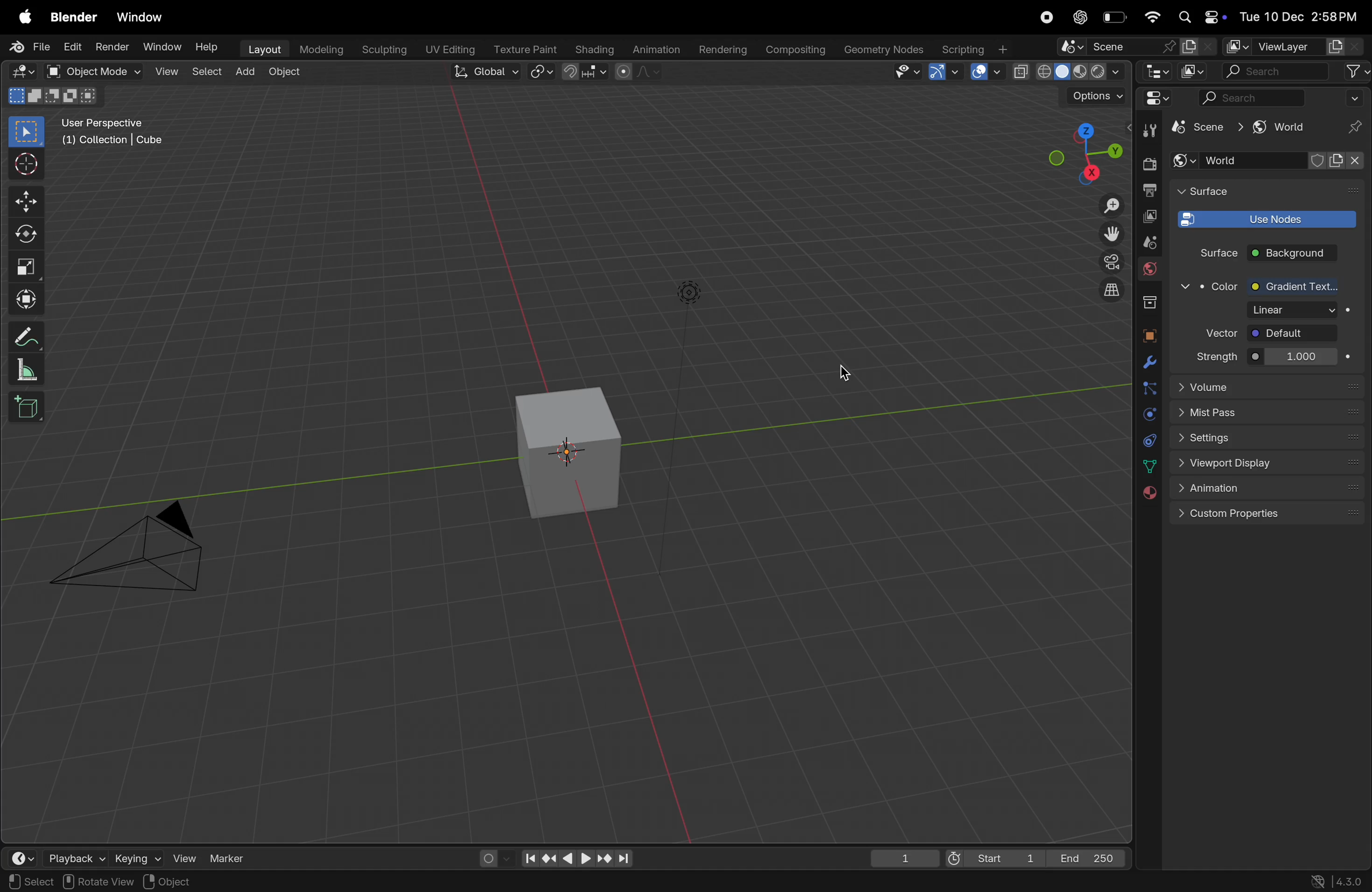 This screenshot has width=1372, height=892. Describe the element at coordinates (991, 855) in the screenshot. I see `start` at that location.